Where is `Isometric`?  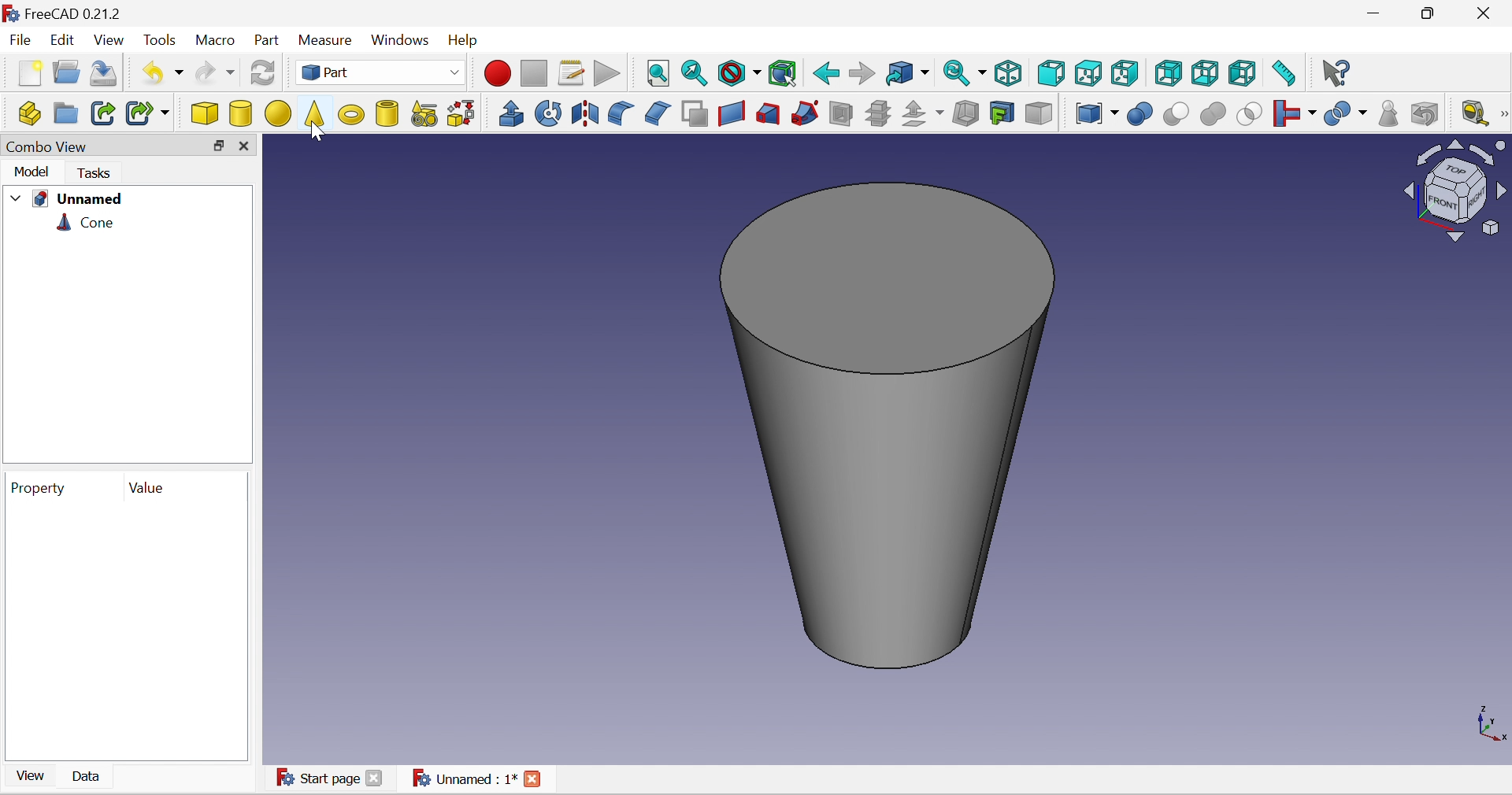
Isometric is located at coordinates (1011, 72).